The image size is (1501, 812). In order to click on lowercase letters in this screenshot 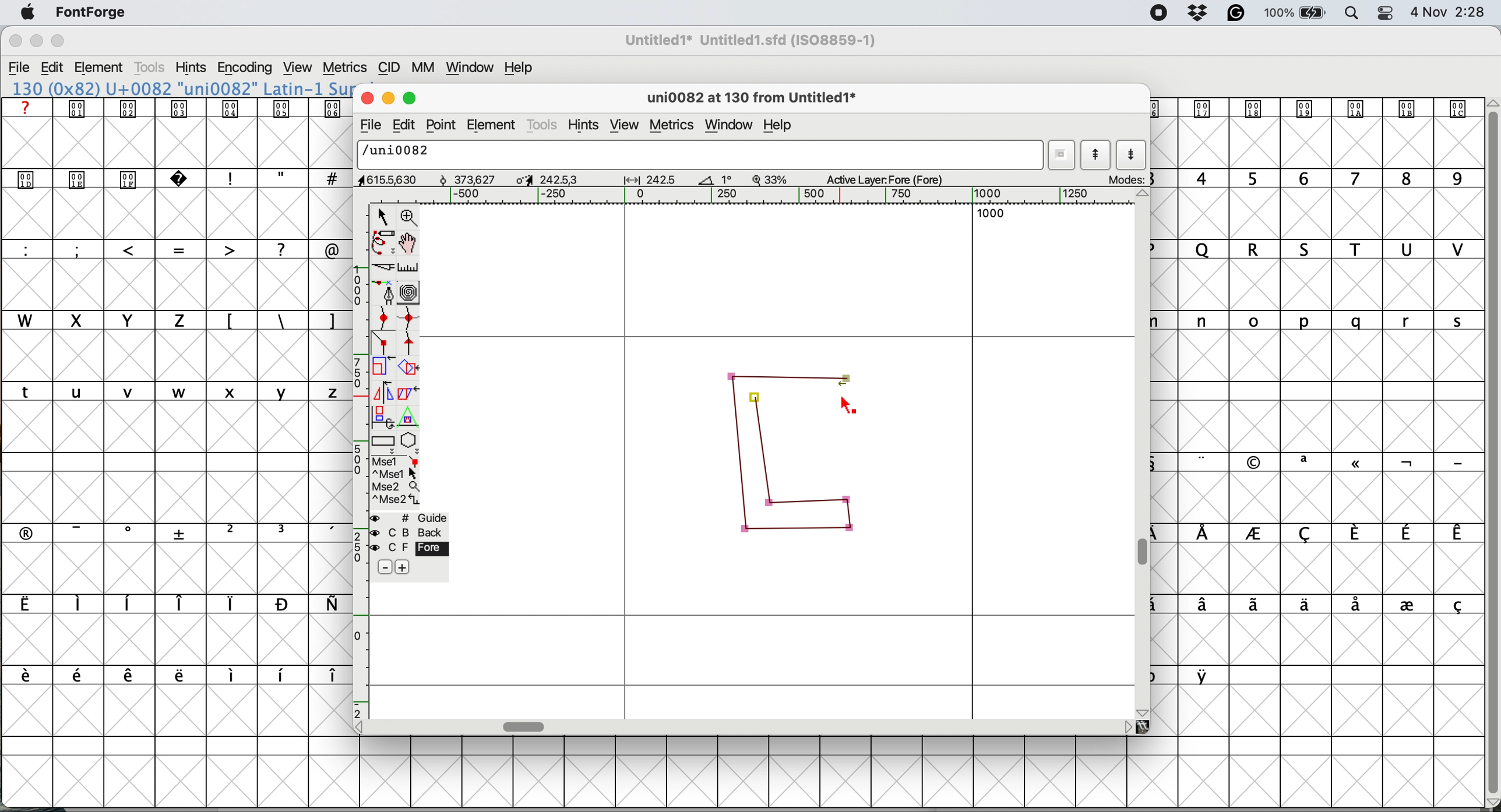, I will do `click(1327, 321)`.